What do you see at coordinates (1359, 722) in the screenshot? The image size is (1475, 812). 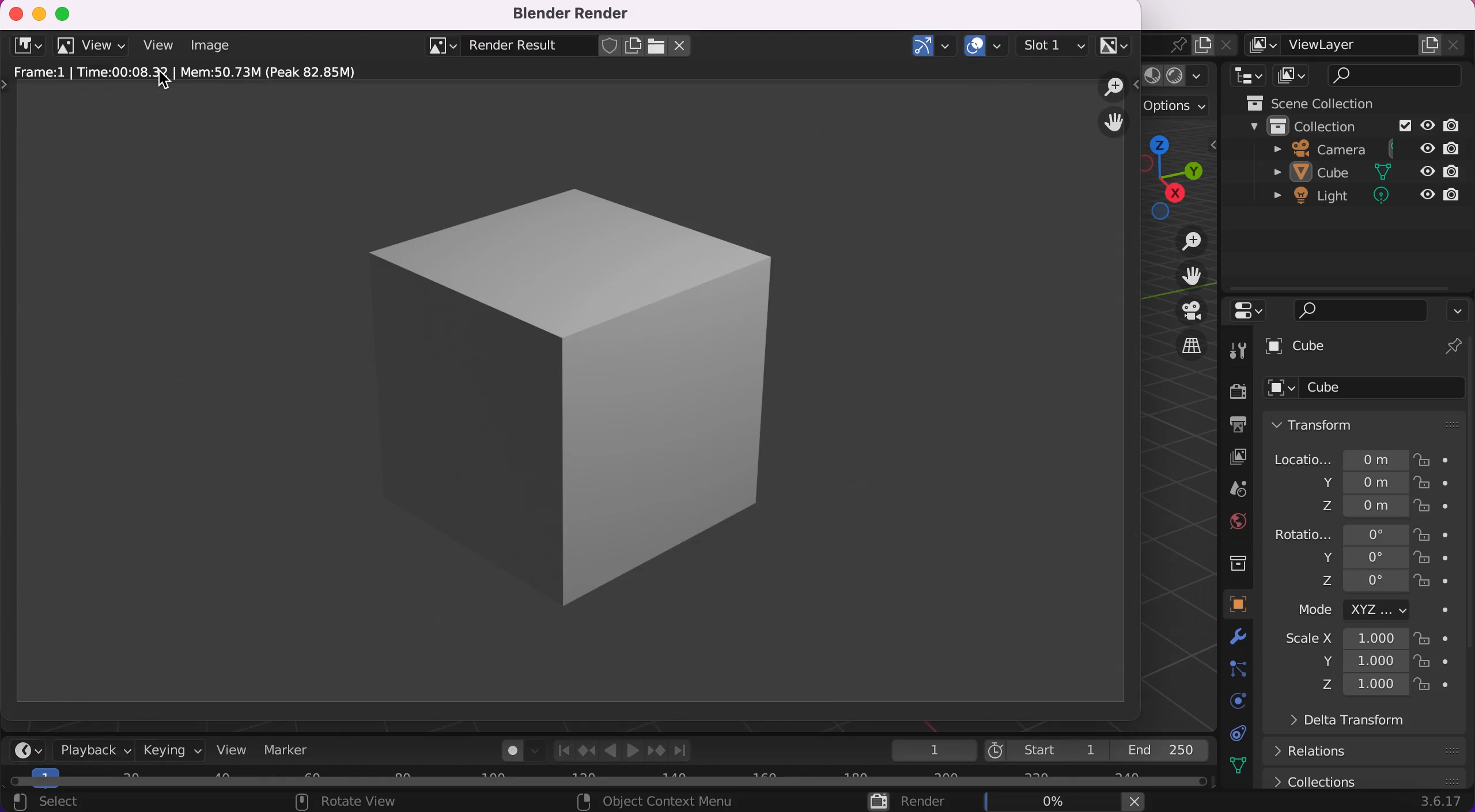 I see `delta transform` at bounding box center [1359, 722].